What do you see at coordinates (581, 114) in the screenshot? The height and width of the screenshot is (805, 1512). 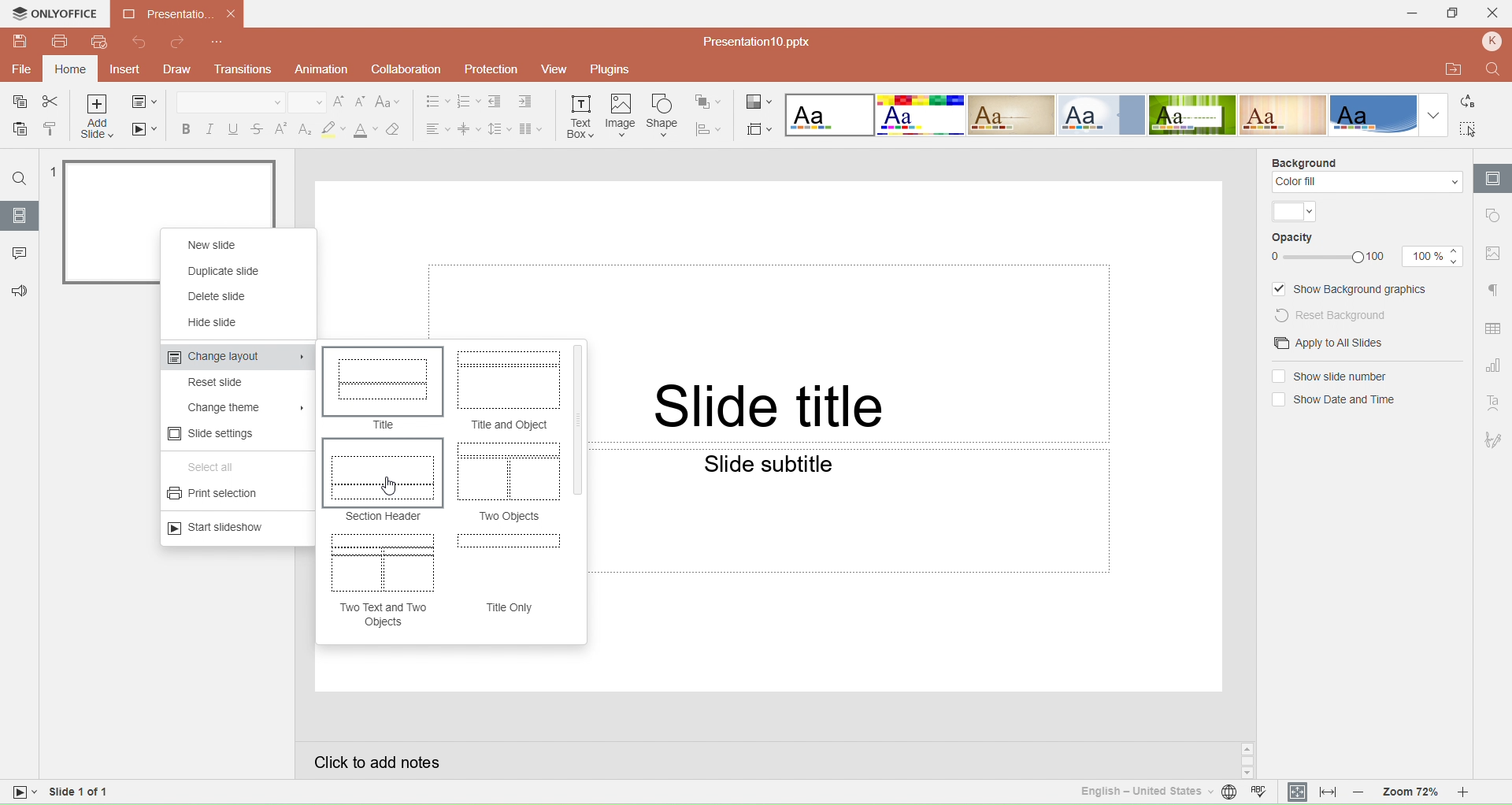 I see `Insert text box` at bounding box center [581, 114].